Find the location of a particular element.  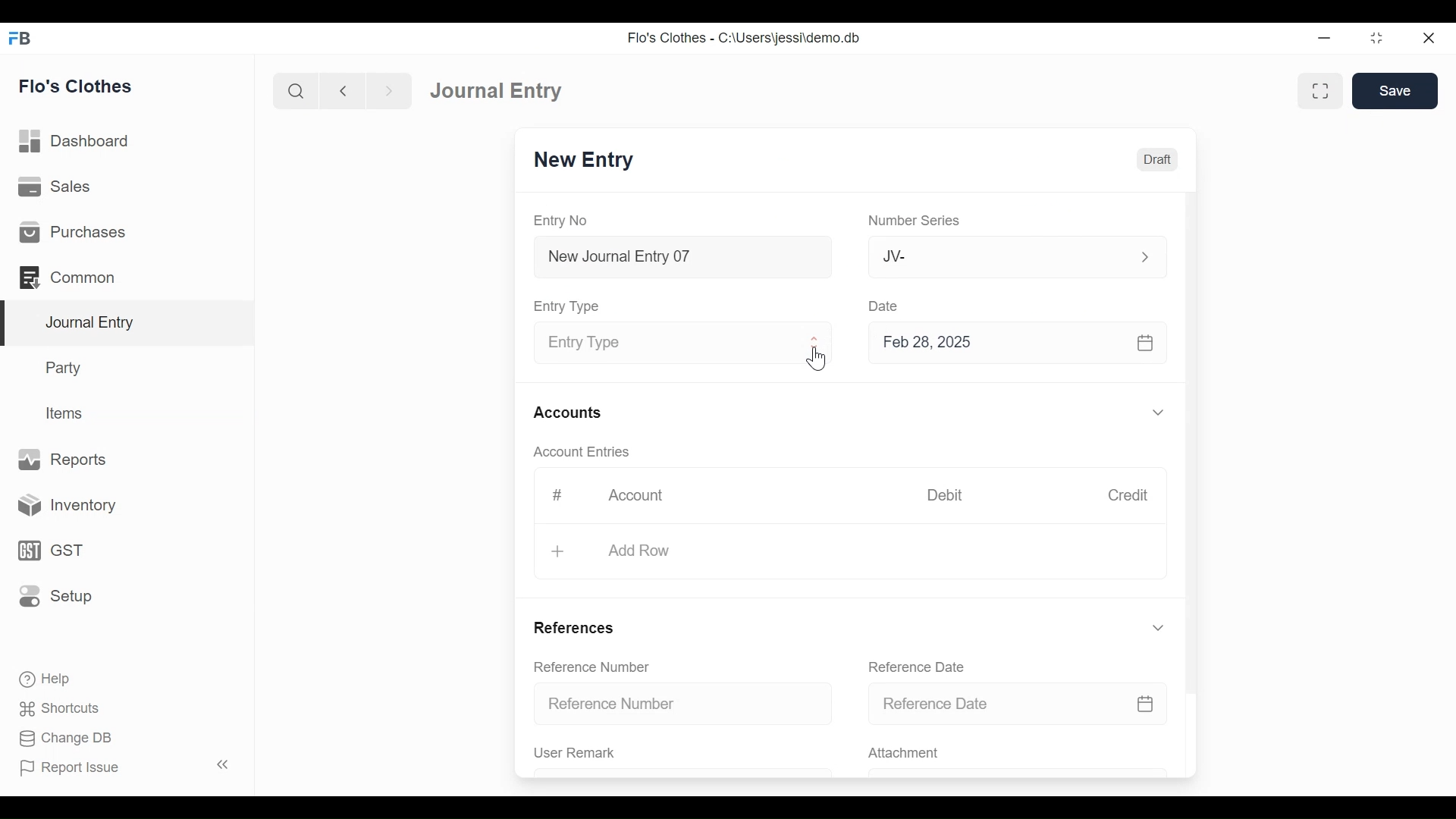

Expand is located at coordinates (817, 343).